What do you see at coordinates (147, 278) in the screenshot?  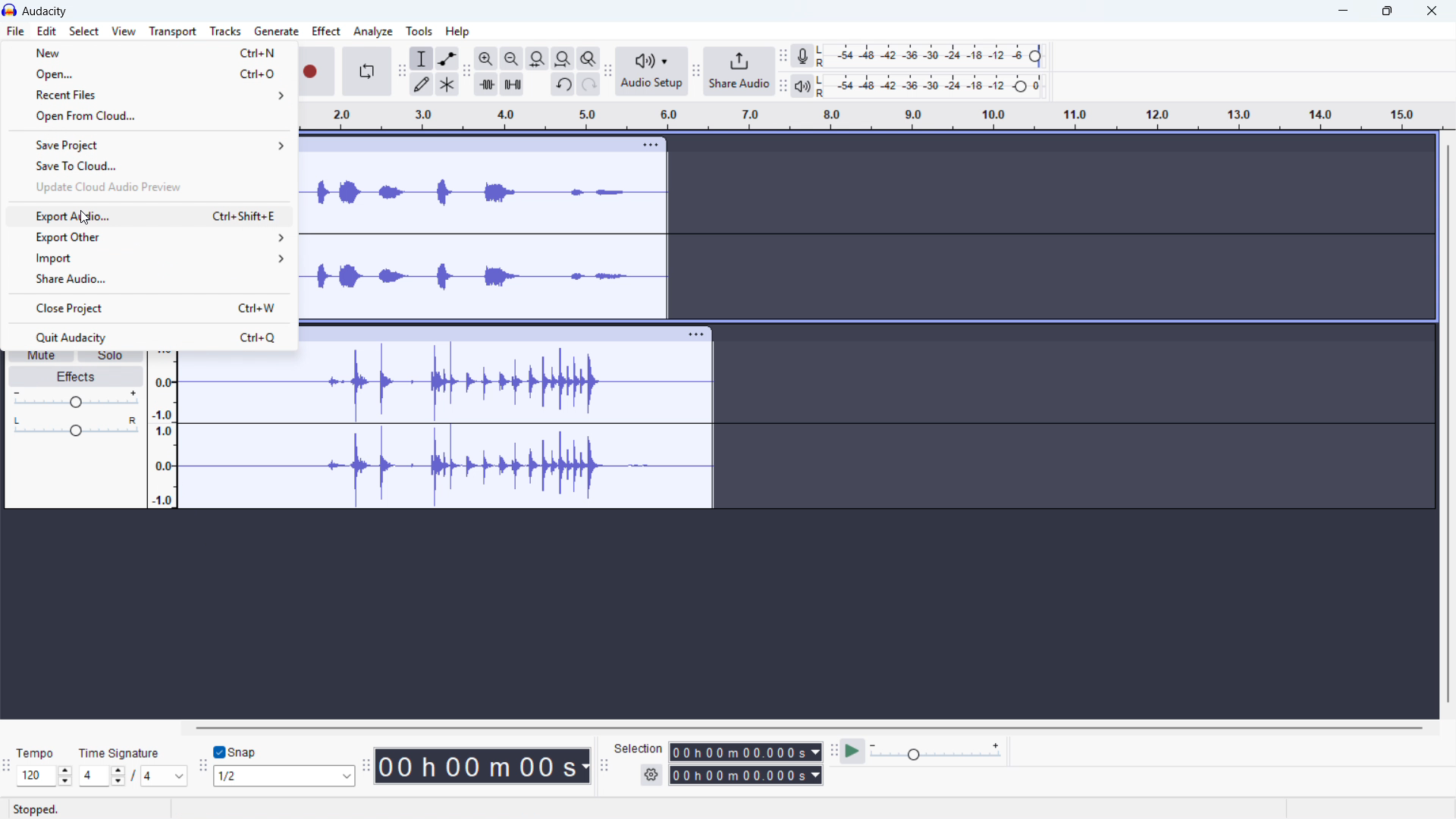 I see `Share audio ` at bounding box center [147, 278].